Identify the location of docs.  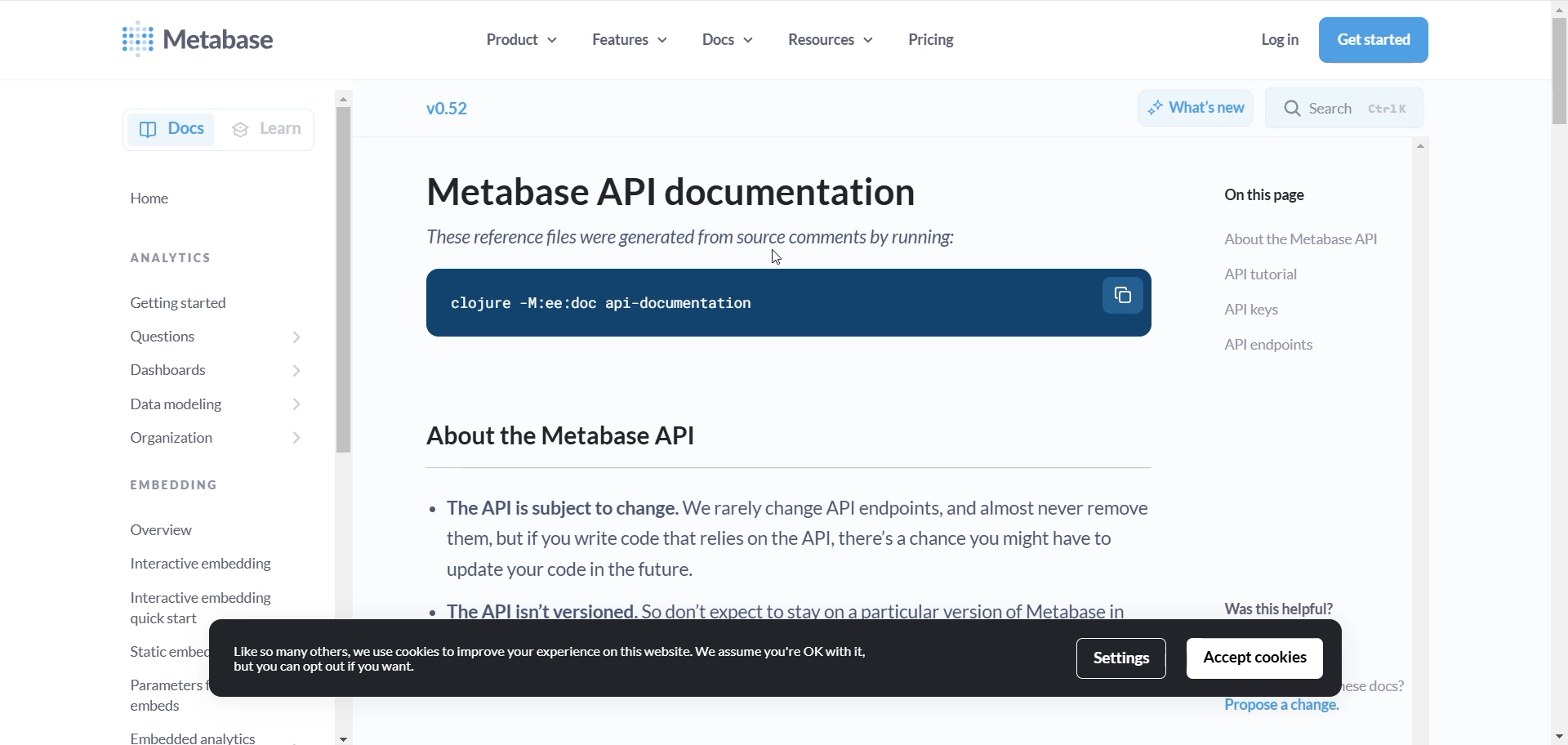
(726, 43).